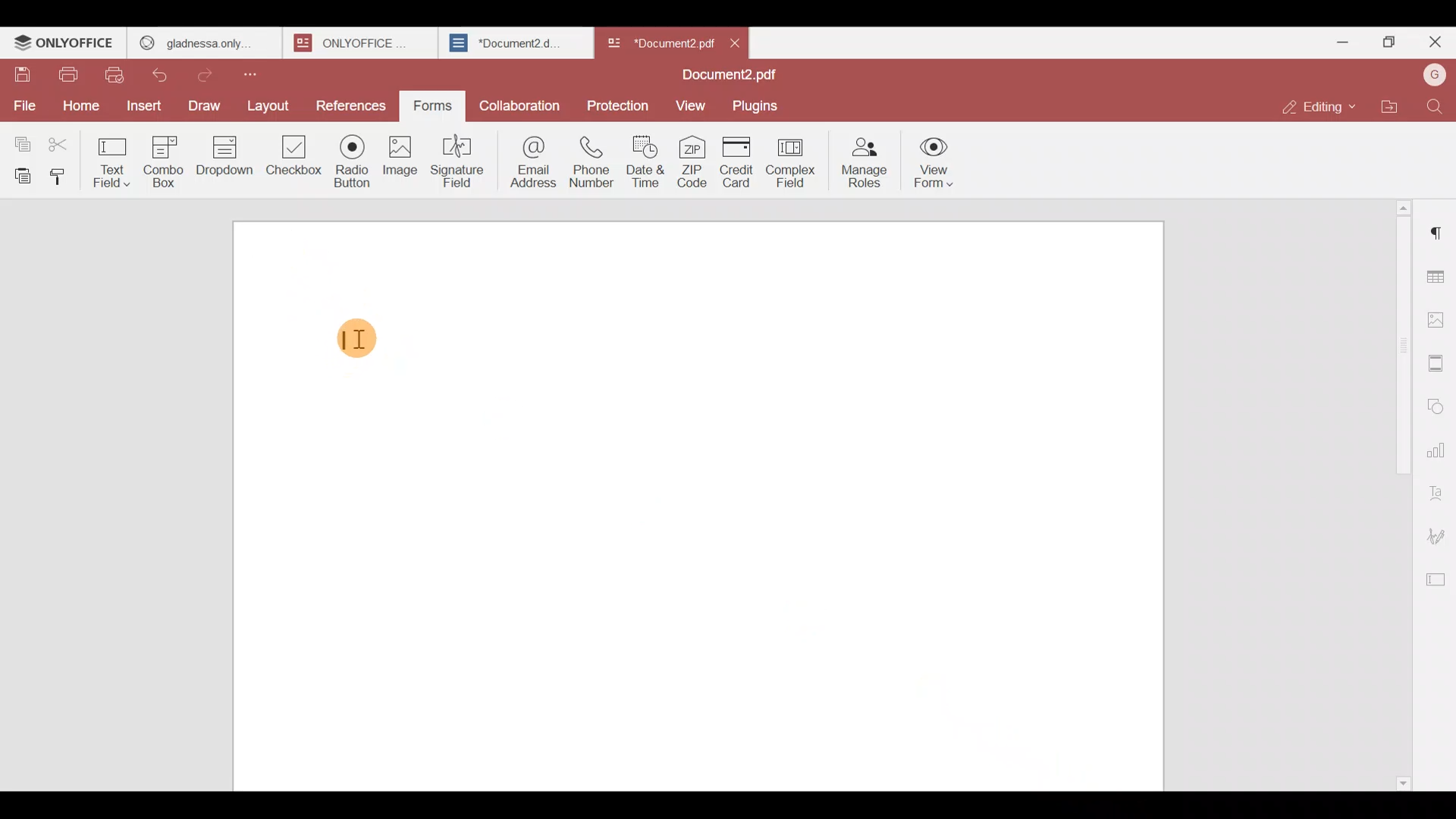 The width and height of the screenshot is (1456, 819). What do you see at coordinates (1396, 108) in the screenshot?
I see `Open file location` at bounding box center [1396, 108].